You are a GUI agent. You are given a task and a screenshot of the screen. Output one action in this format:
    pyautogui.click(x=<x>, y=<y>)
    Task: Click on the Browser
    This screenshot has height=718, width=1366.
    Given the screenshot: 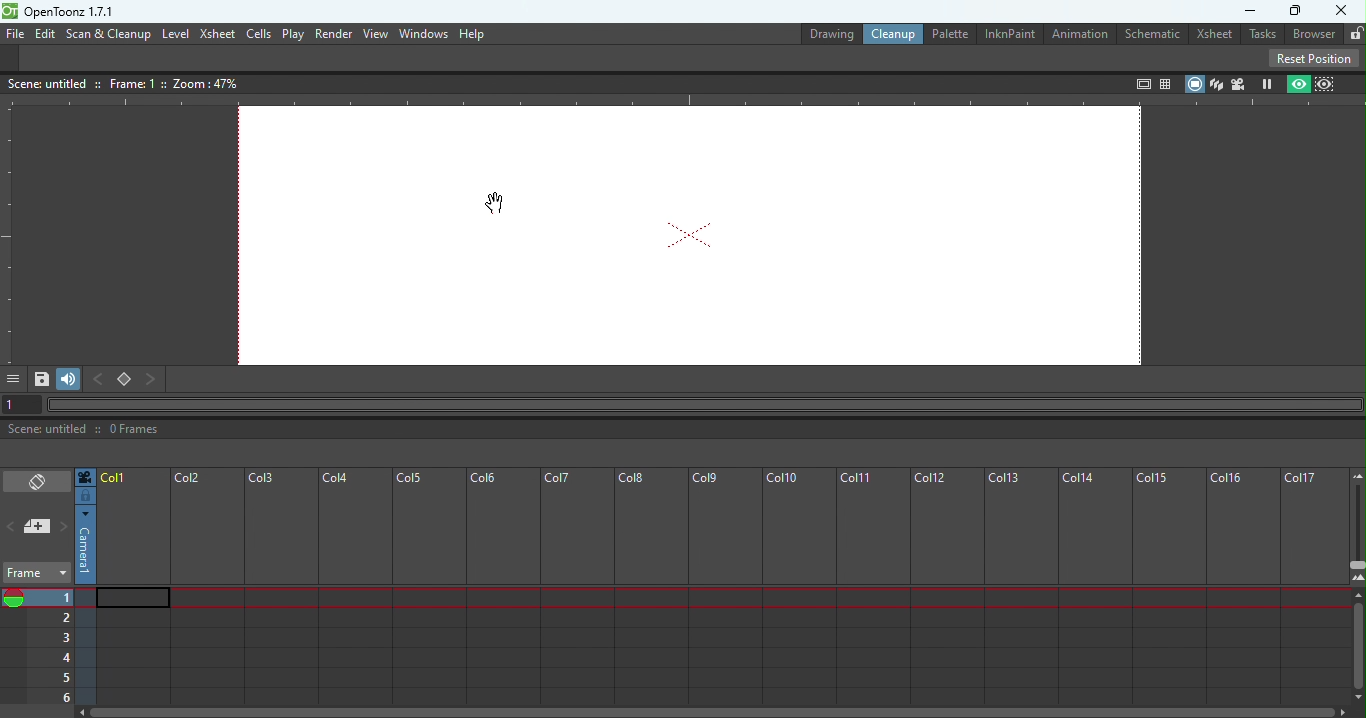 What is the action you would take?
    pyautogui.click(x=1310, y=34)
    